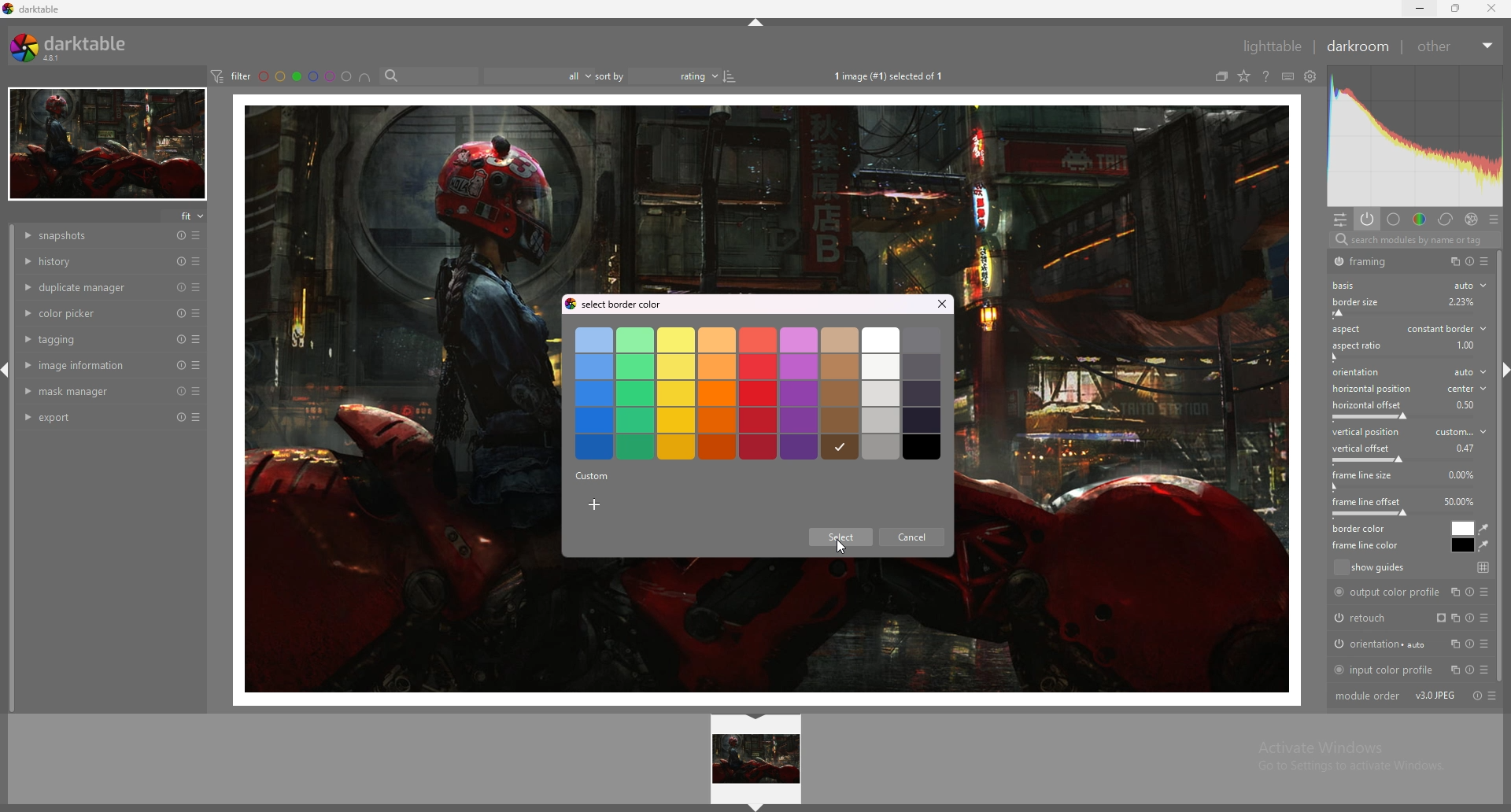 This screenshot has height=812, width=1511. I want to click on image preview, so click(757, 759).